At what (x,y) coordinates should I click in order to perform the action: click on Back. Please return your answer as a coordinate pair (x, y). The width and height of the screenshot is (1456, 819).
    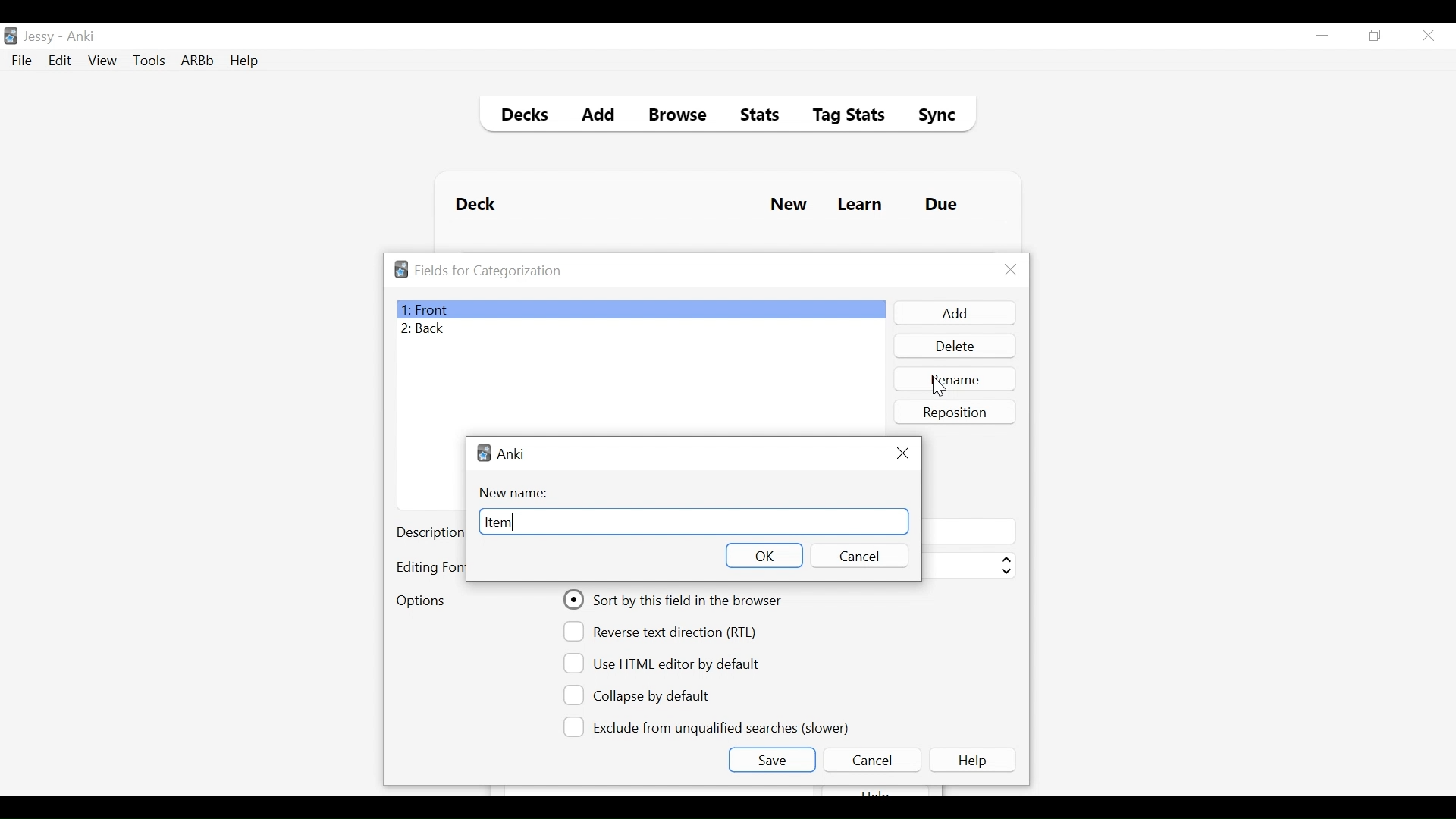
    Looking at the image, I should click on (427, 330).